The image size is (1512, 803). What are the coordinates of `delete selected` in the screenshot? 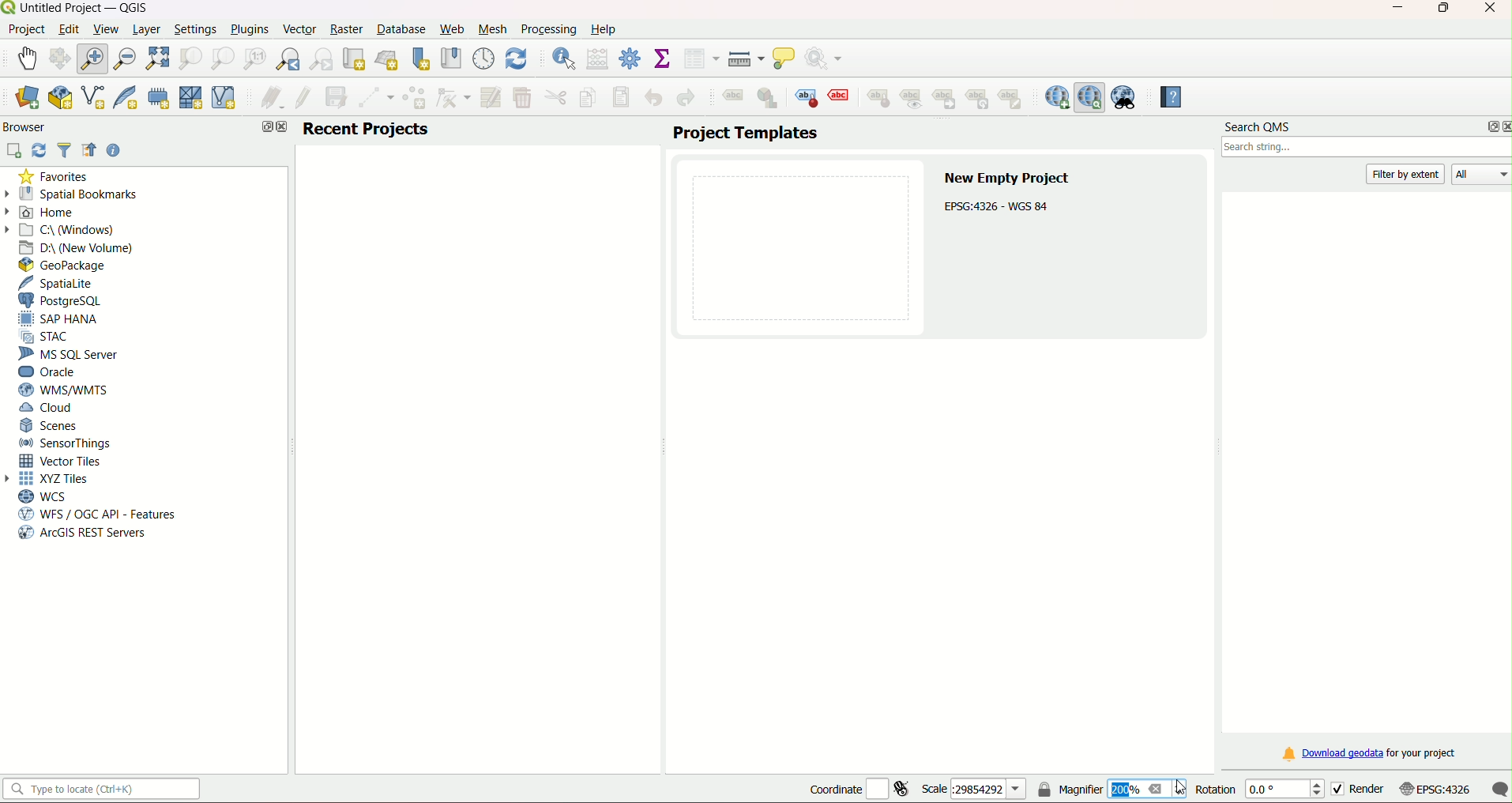 It's located at (523, 98).